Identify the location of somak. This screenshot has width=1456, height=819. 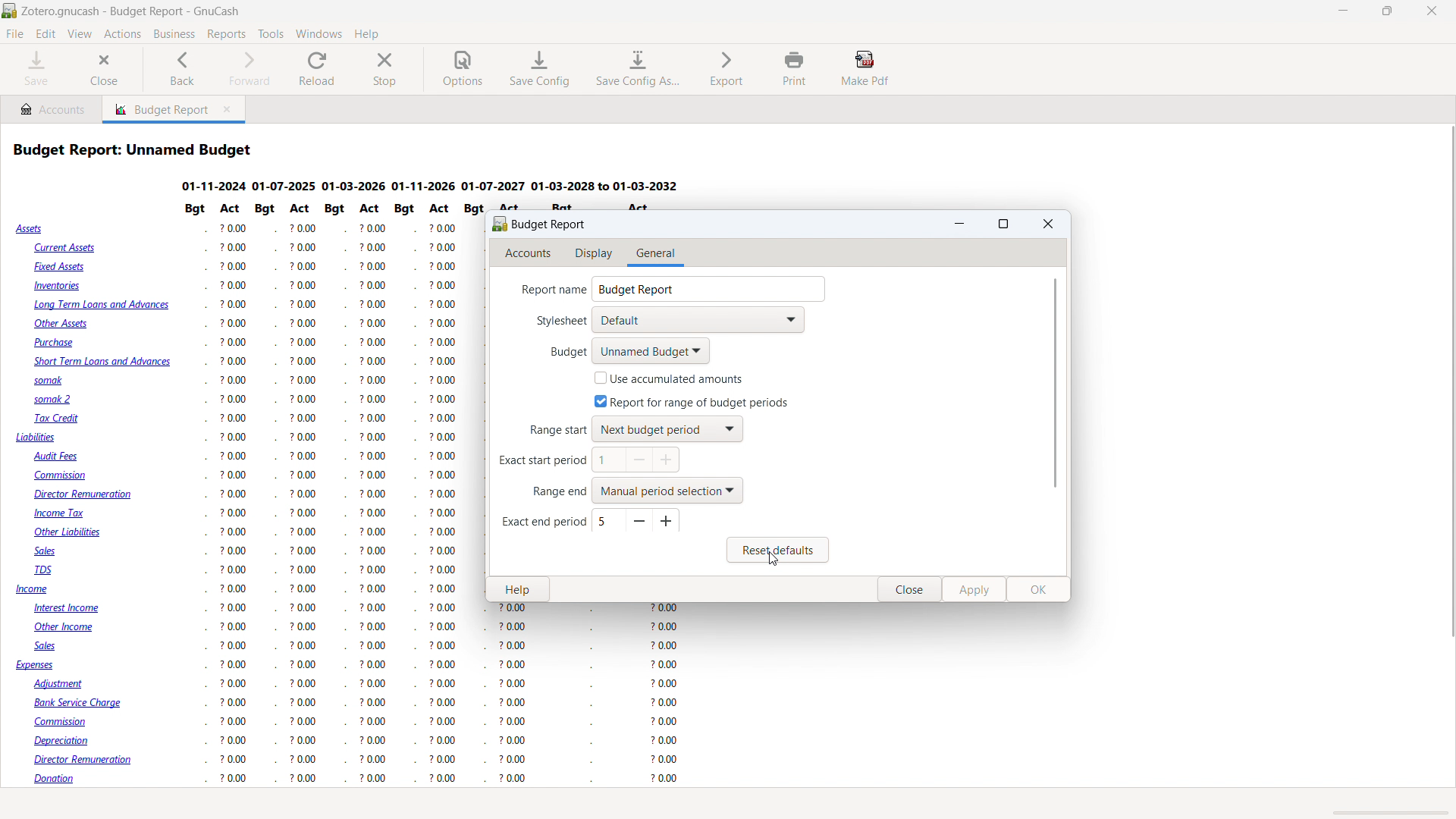
(45, 380).